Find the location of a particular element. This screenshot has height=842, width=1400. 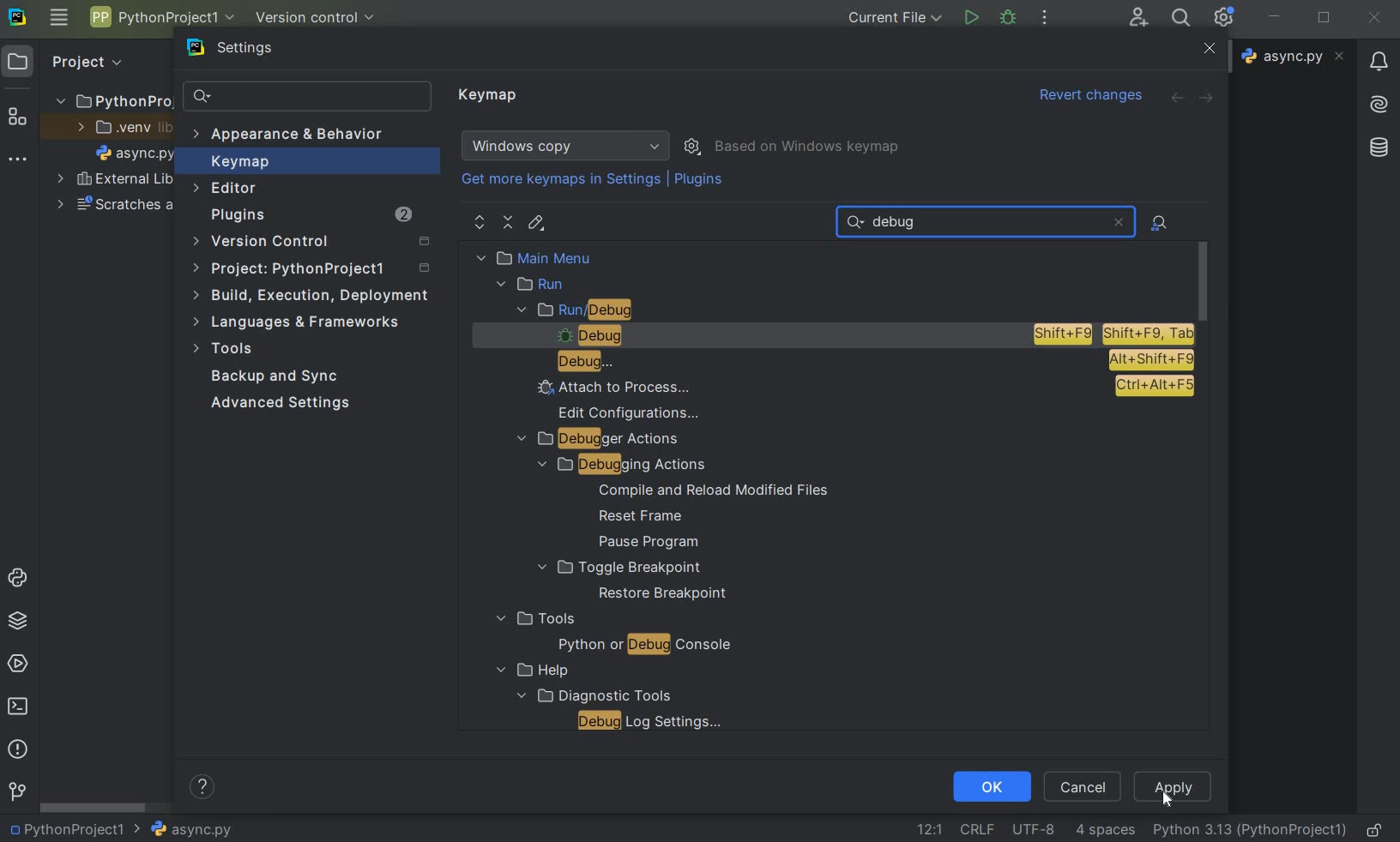

close is located at coordinates (1207, 50).